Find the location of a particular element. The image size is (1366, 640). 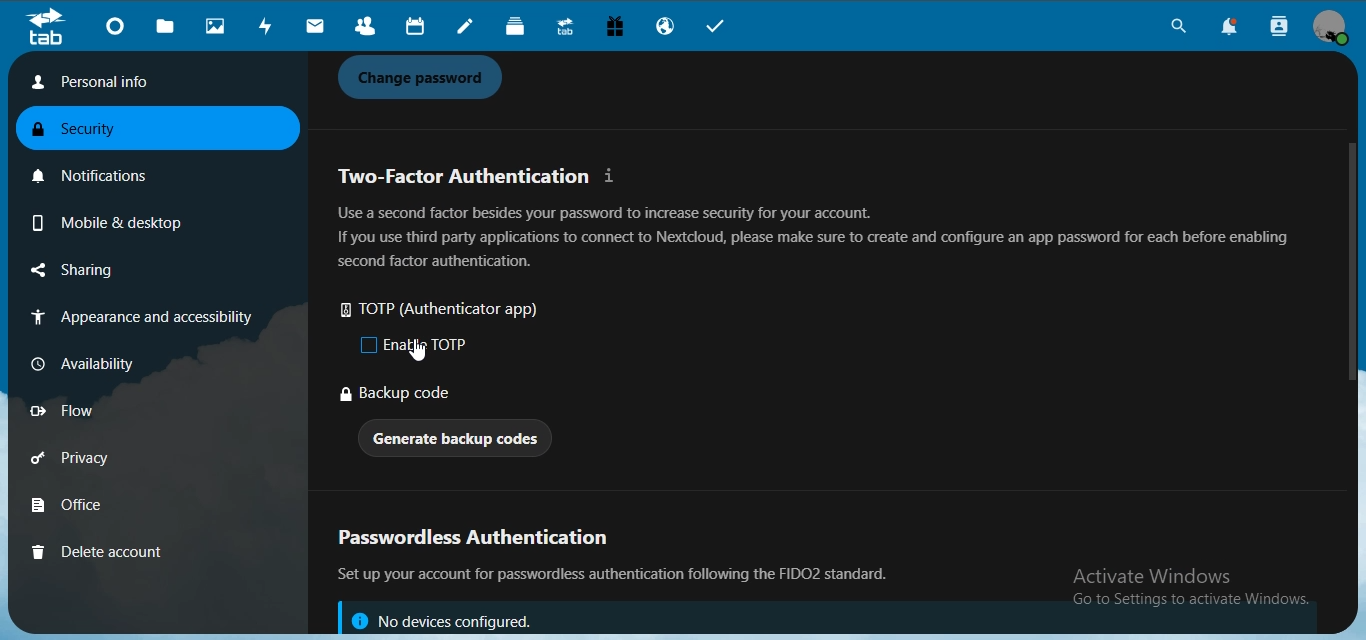

mail is located at coordinates (316, 27).